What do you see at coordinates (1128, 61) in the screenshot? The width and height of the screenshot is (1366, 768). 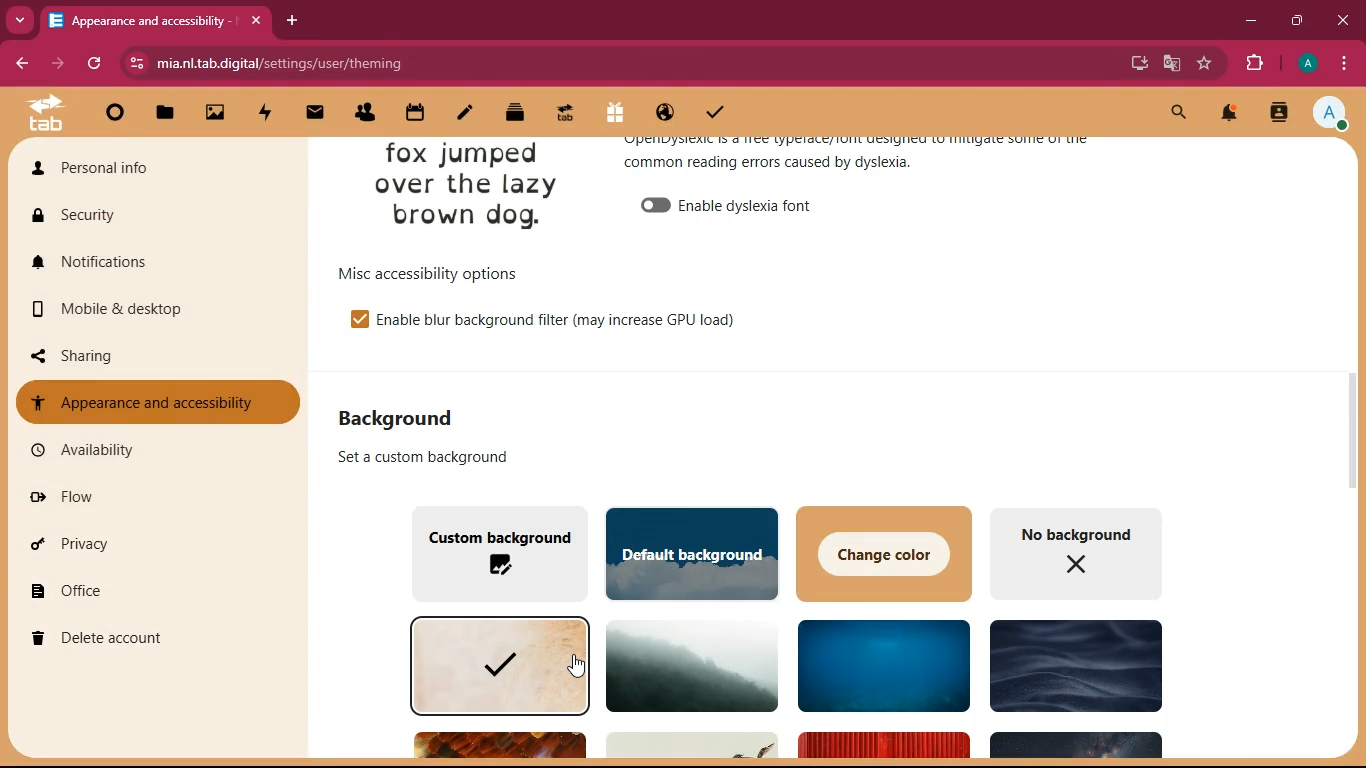 I see `desktop` at bounding box center [1128, 61].